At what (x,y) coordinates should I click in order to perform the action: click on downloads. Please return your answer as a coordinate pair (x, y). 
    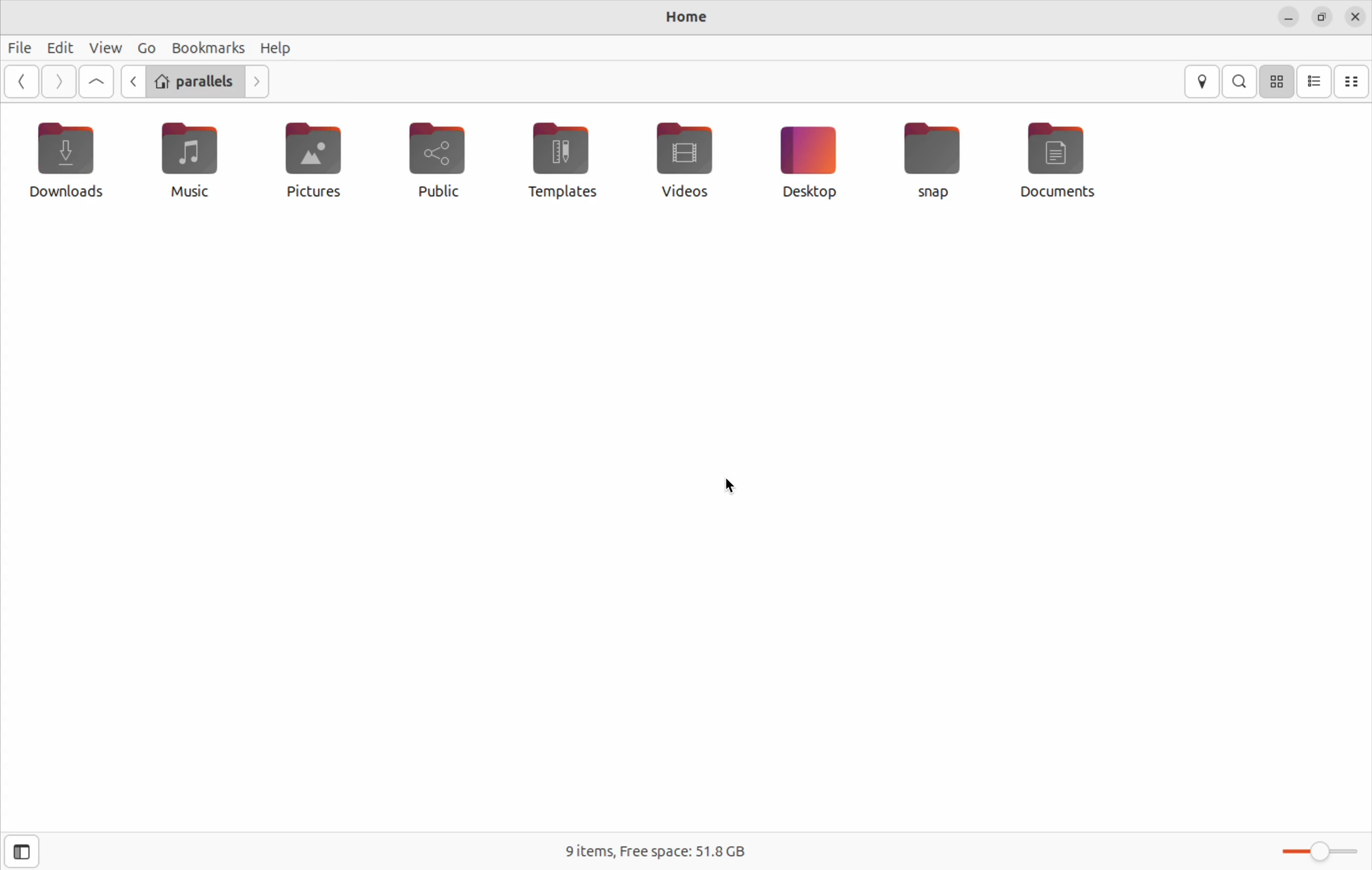
    Looking at the image, I should click on (67, 160).